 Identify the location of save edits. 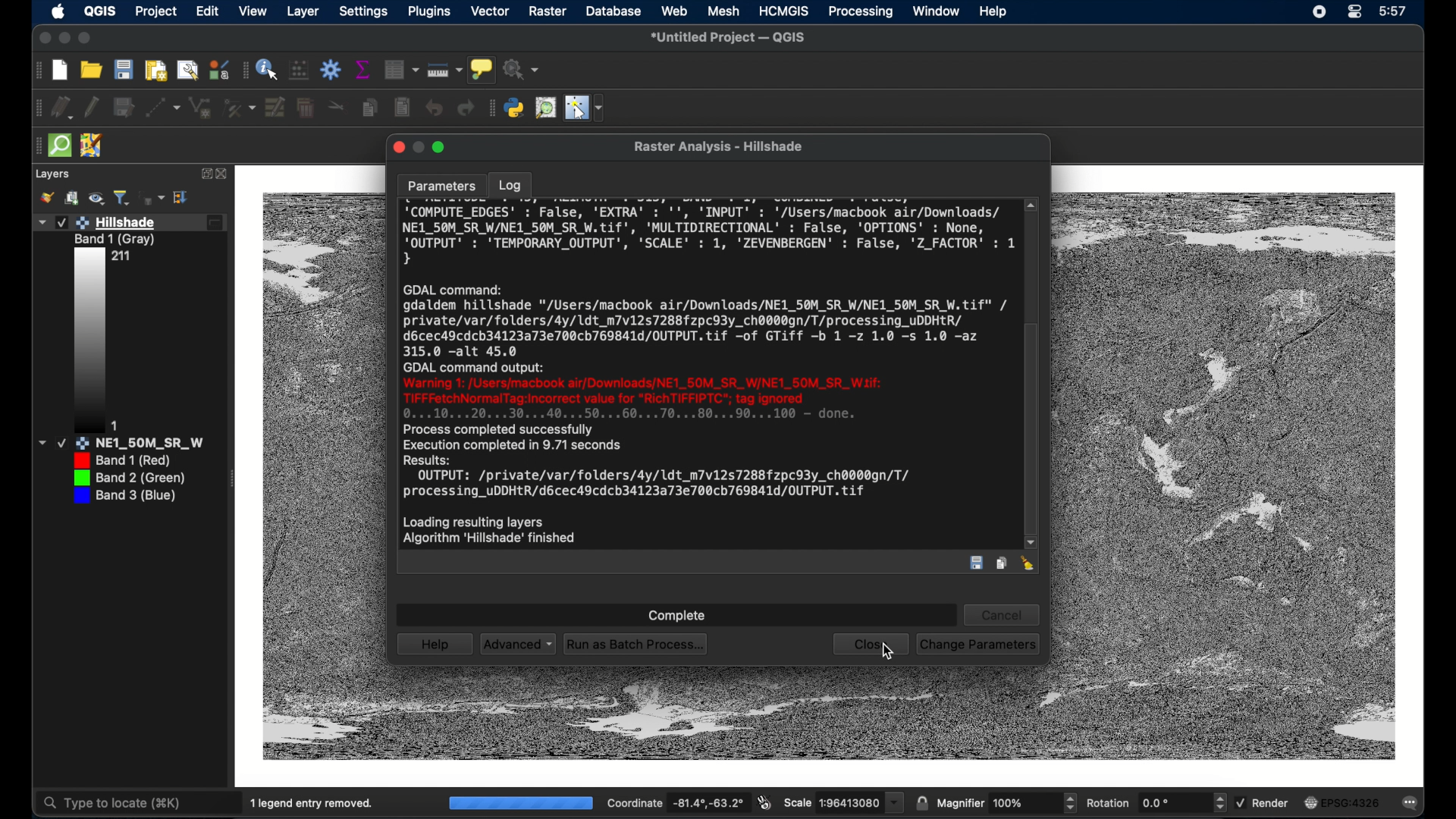
(124, 108).